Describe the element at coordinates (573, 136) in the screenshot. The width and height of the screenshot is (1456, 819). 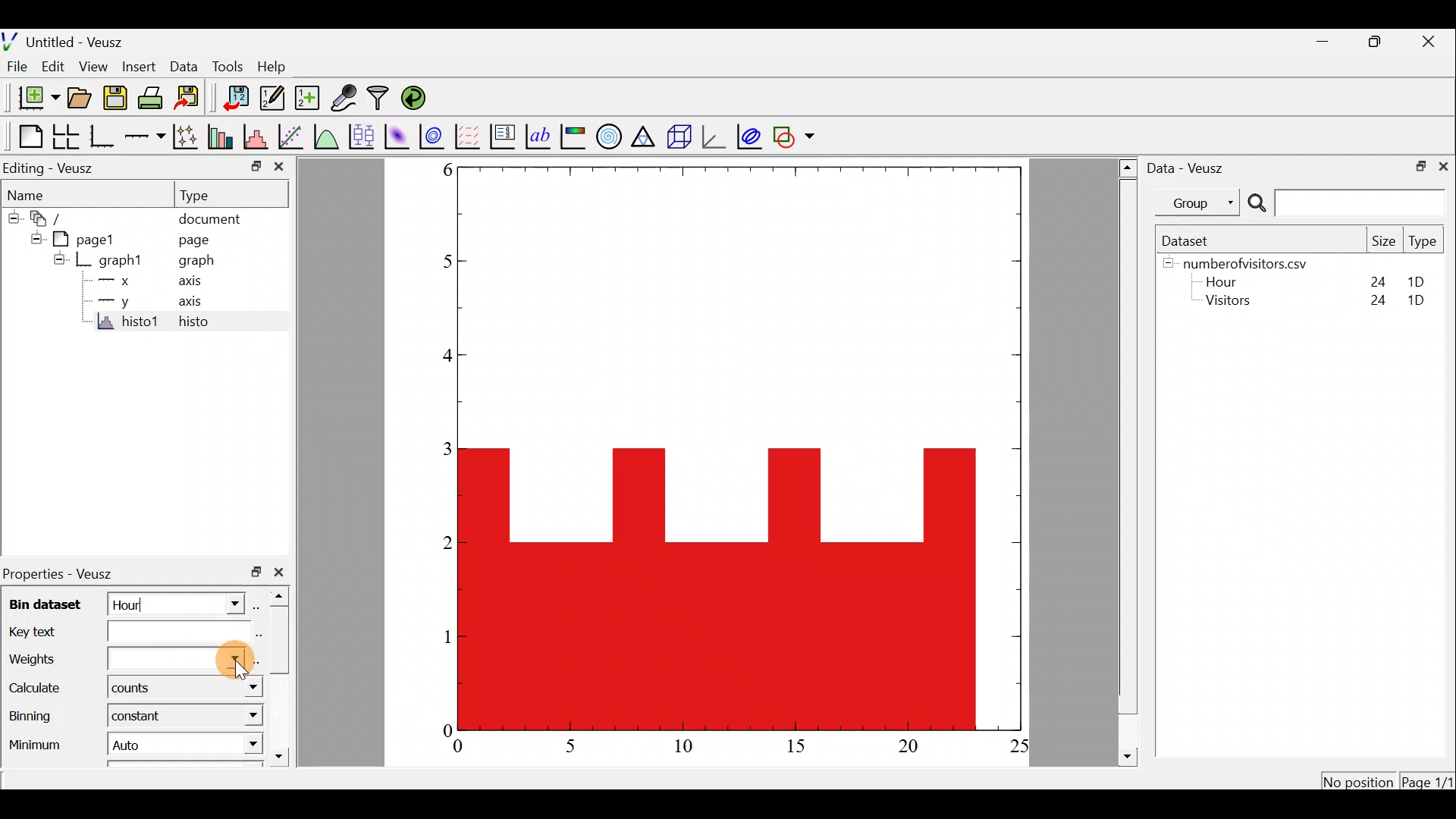
I see `image color bar` at that location.